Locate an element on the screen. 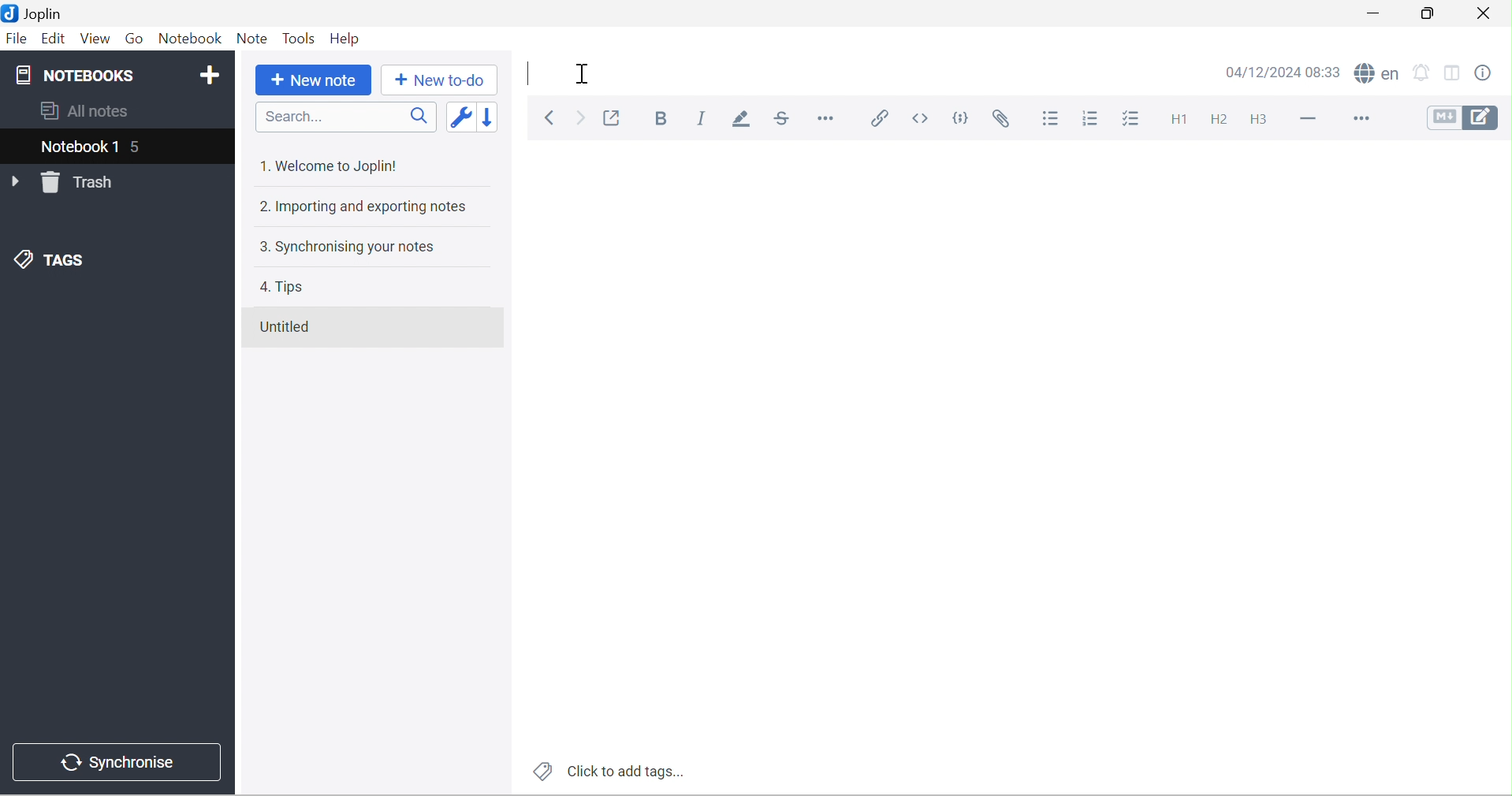 The height and width of the screenshot is (796, 1512). Notebook 1 is located at coordinates (76, 149).